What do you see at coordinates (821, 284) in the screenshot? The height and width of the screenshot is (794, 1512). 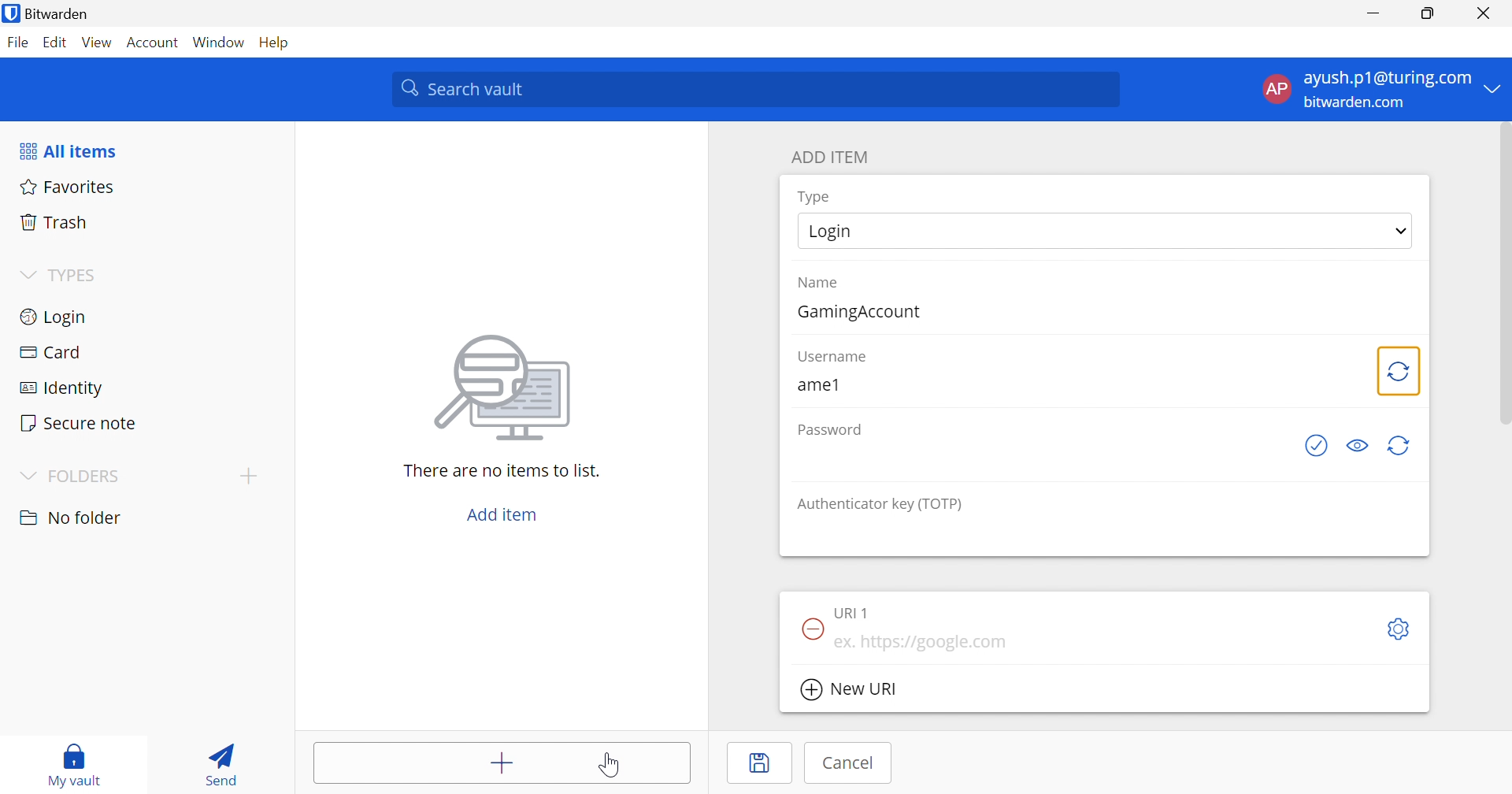 I see `Name` at bounding box center [821, 284].